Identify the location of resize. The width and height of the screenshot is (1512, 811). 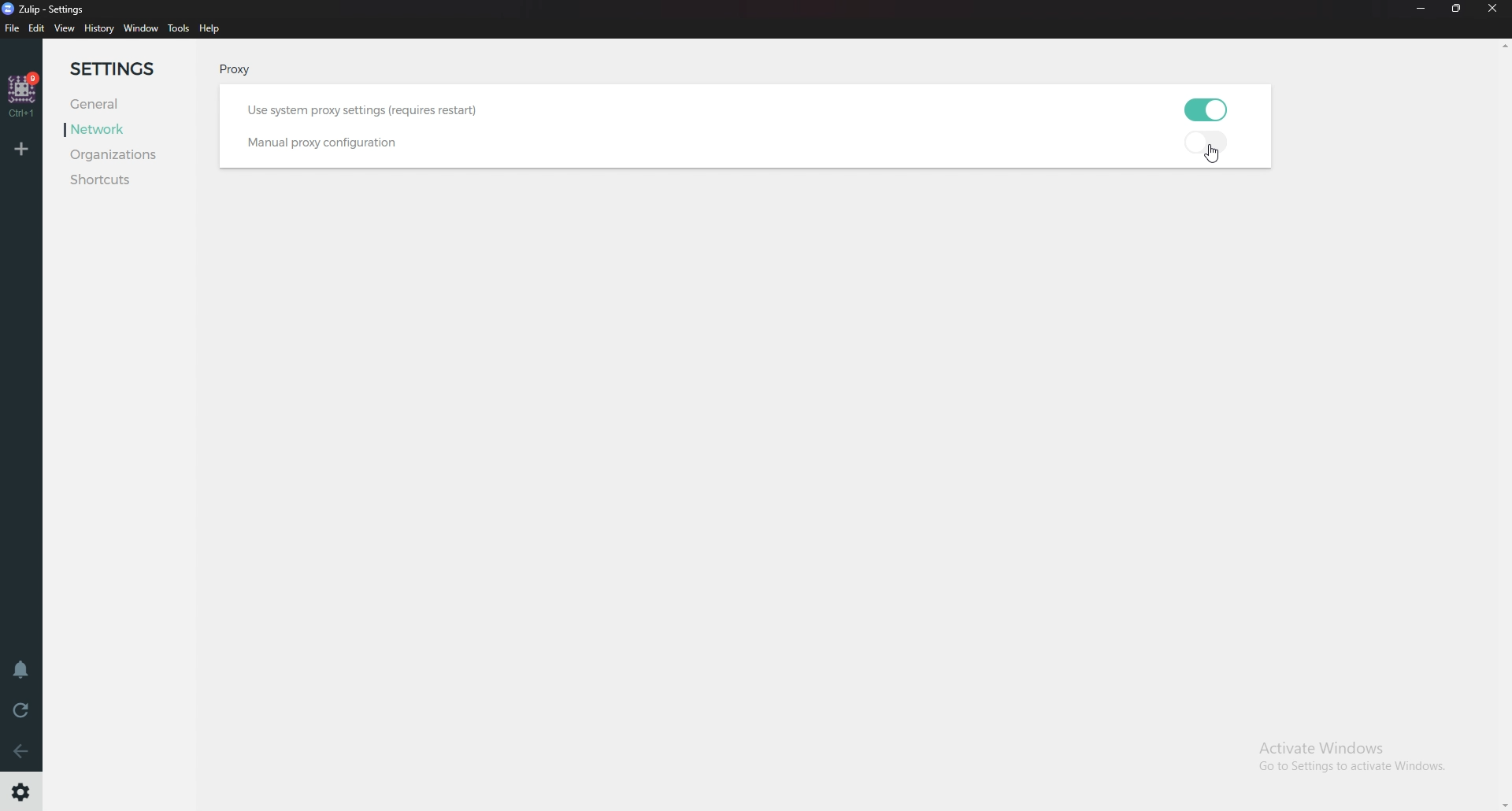
(1458, 9).